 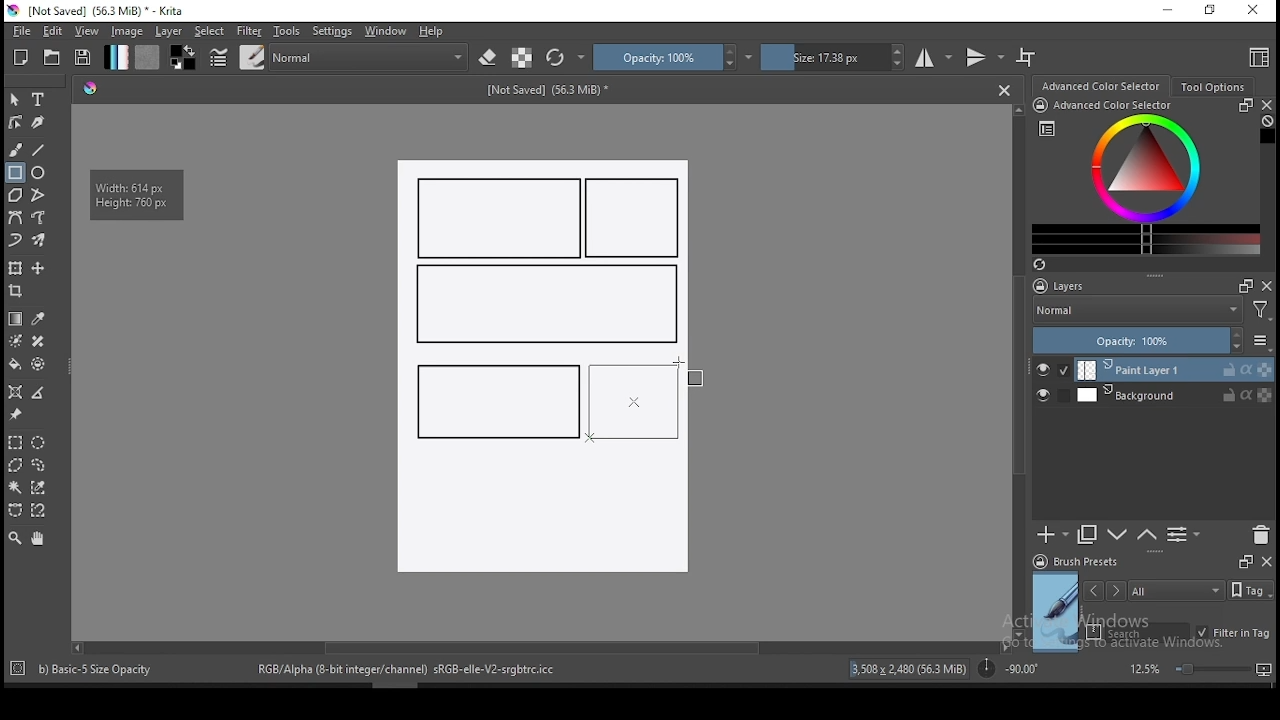 I want to click on rotation, so click(x=1008, y=667).